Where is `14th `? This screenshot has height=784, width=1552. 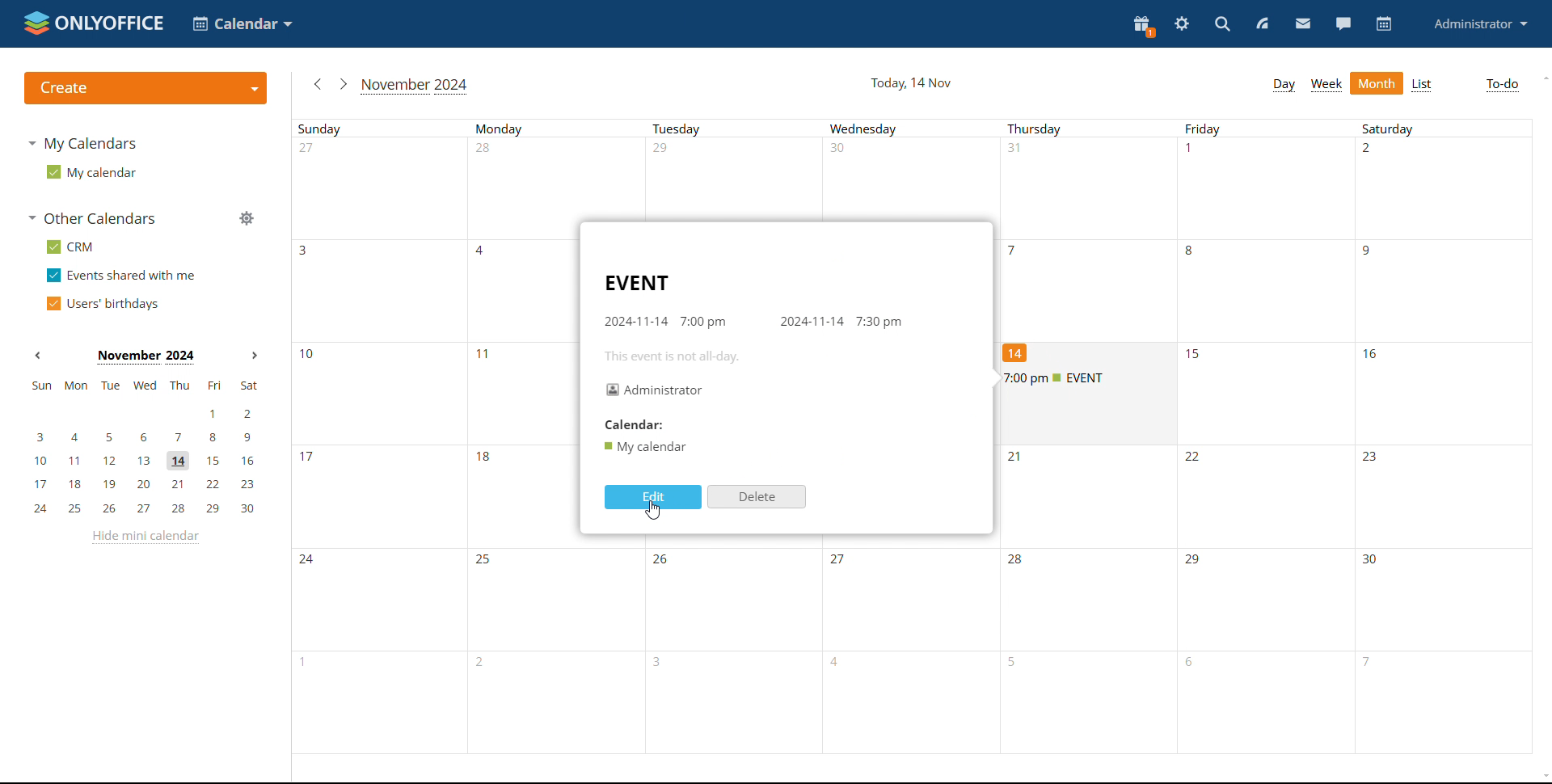
14th  is located at coordinates (1020, 352).